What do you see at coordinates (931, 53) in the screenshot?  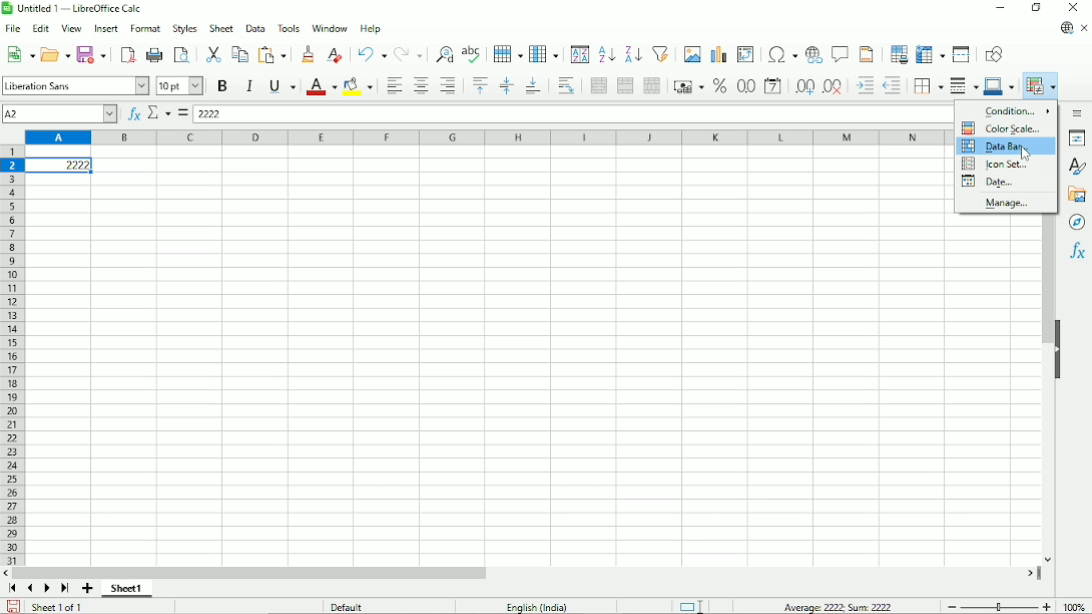 I see `Freeze row and column` at bounding box center [931, 53].